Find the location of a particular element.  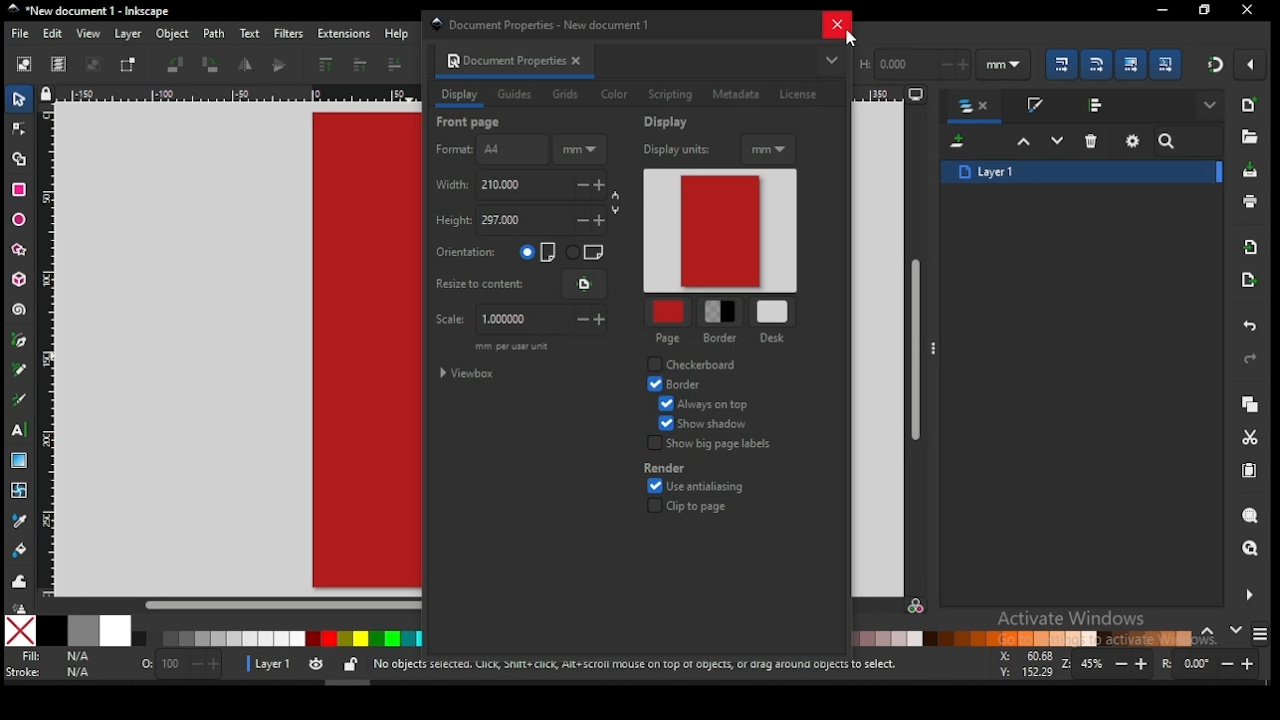

cursor is located at coordinates (849, 39).